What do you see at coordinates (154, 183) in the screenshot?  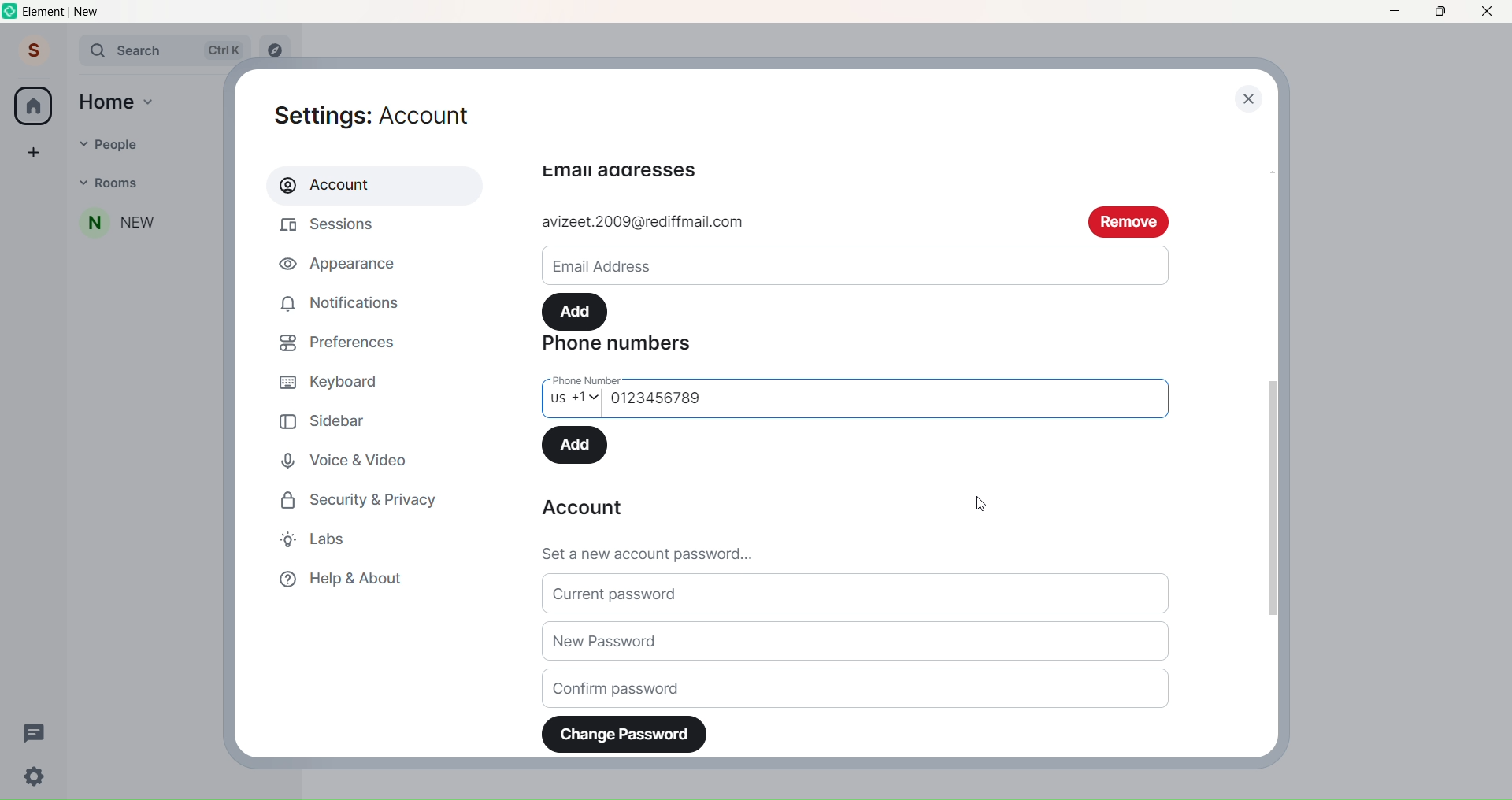 I see `Rooms` at bounding box center [154, 183].